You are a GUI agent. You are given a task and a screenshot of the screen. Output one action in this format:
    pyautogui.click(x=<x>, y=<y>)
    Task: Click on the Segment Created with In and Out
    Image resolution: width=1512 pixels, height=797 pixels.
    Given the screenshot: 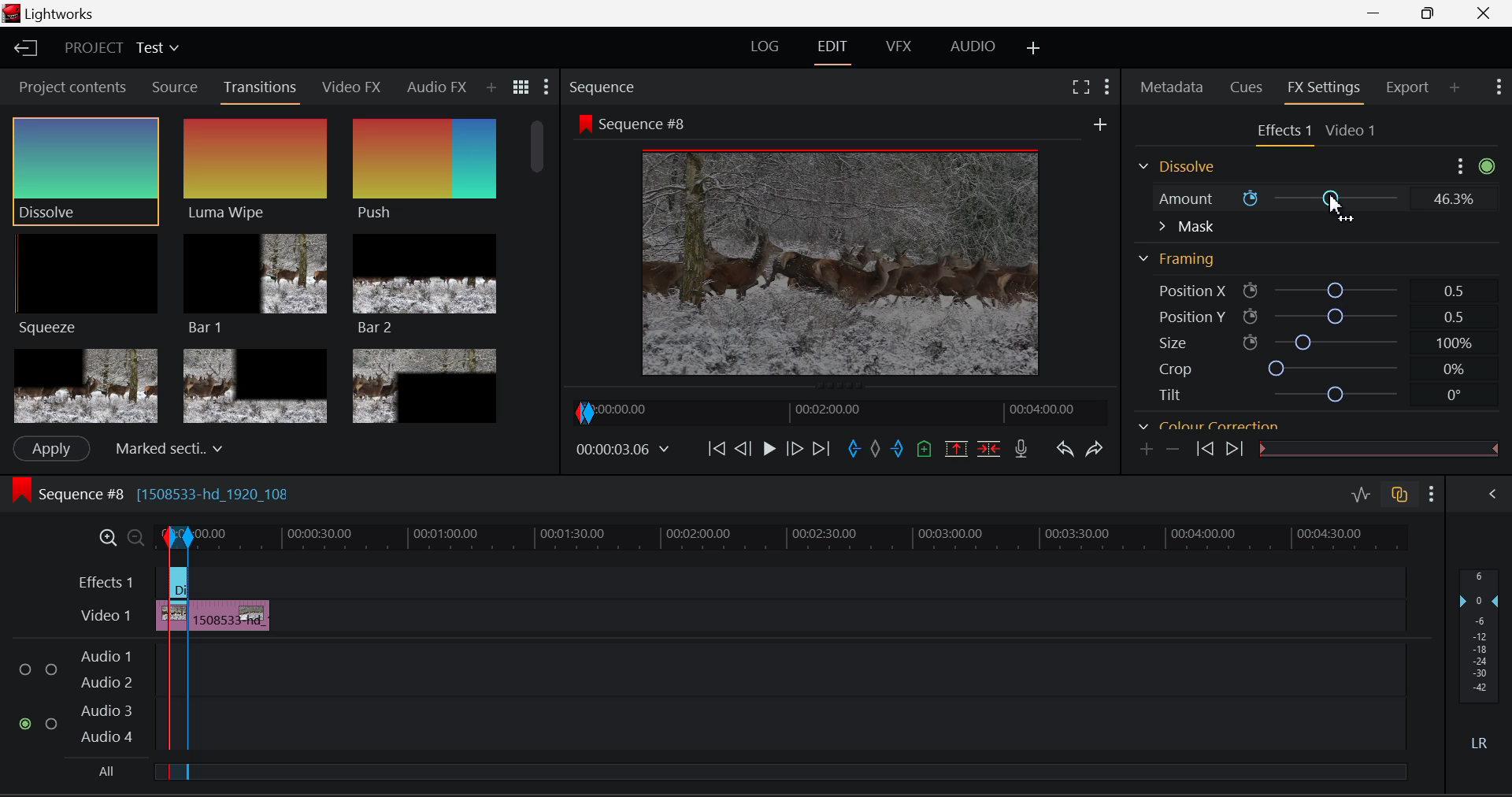 What is the action you would take?
    pyautogui.click(x=175, y=703)
    